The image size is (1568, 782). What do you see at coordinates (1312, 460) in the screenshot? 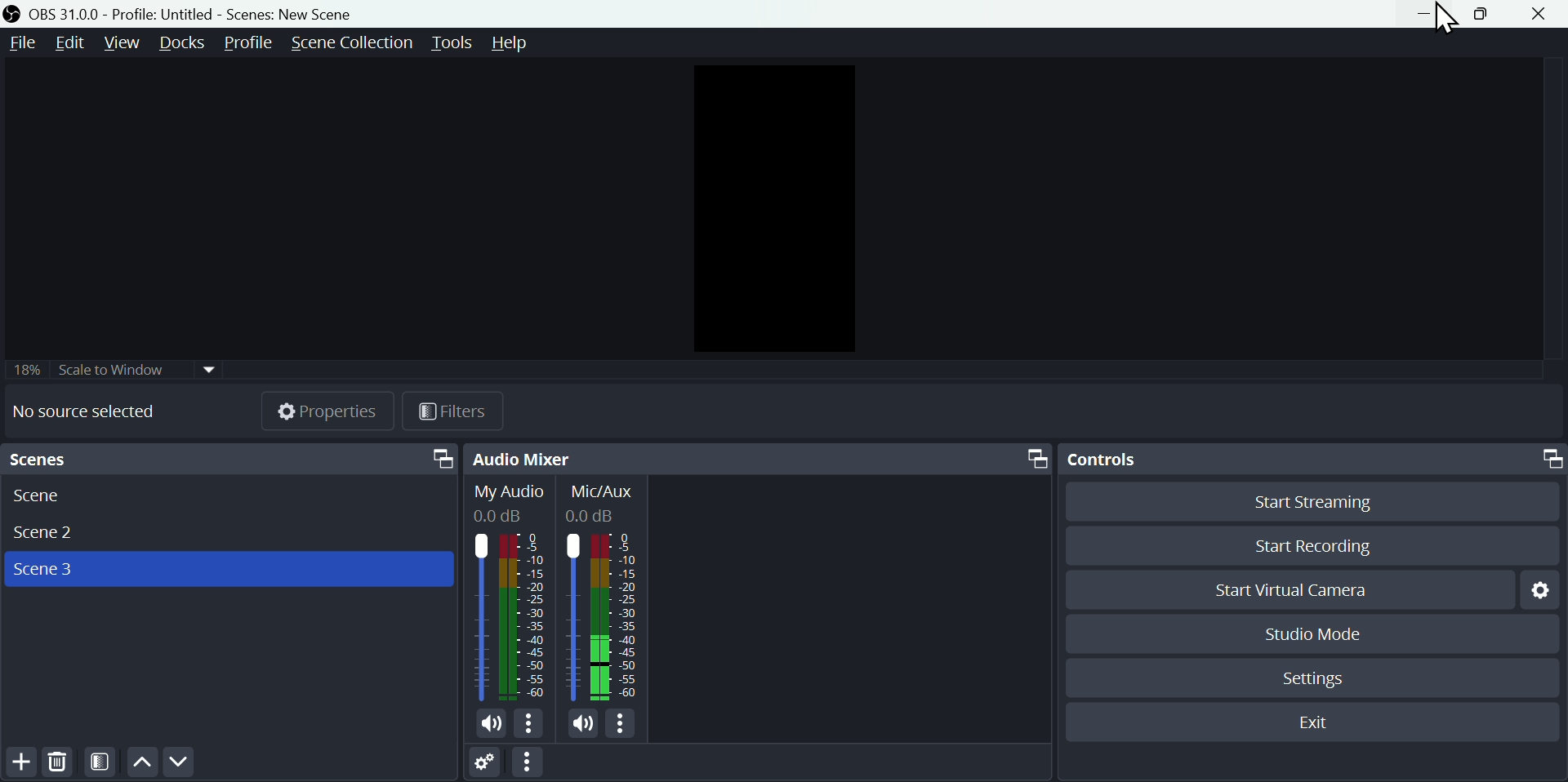
I see `Controls` at bounding box center [1312, 460].